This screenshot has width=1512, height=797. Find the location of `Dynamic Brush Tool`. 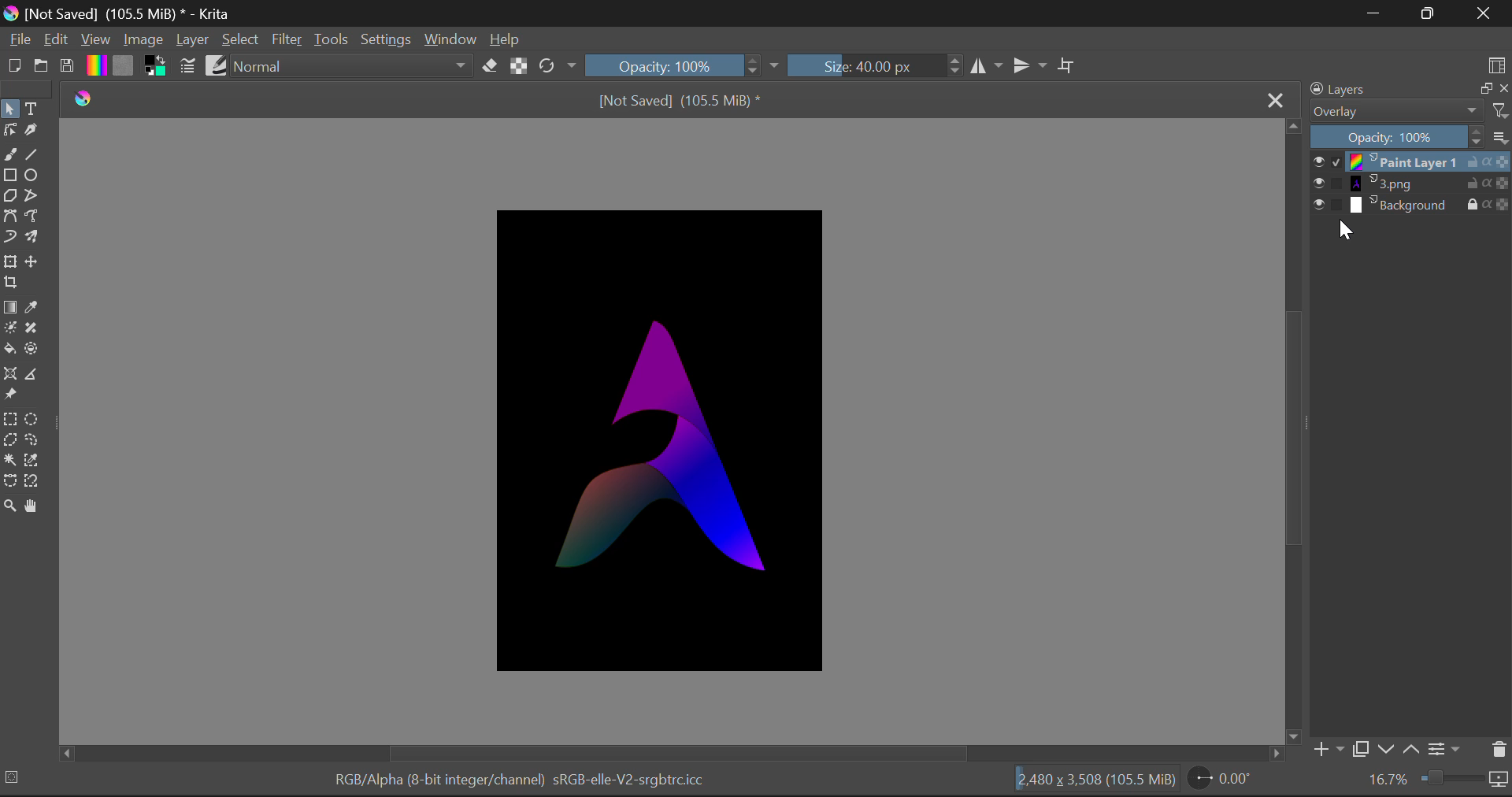

Dynamic Brush Tool is located at coordinates (9, 236).